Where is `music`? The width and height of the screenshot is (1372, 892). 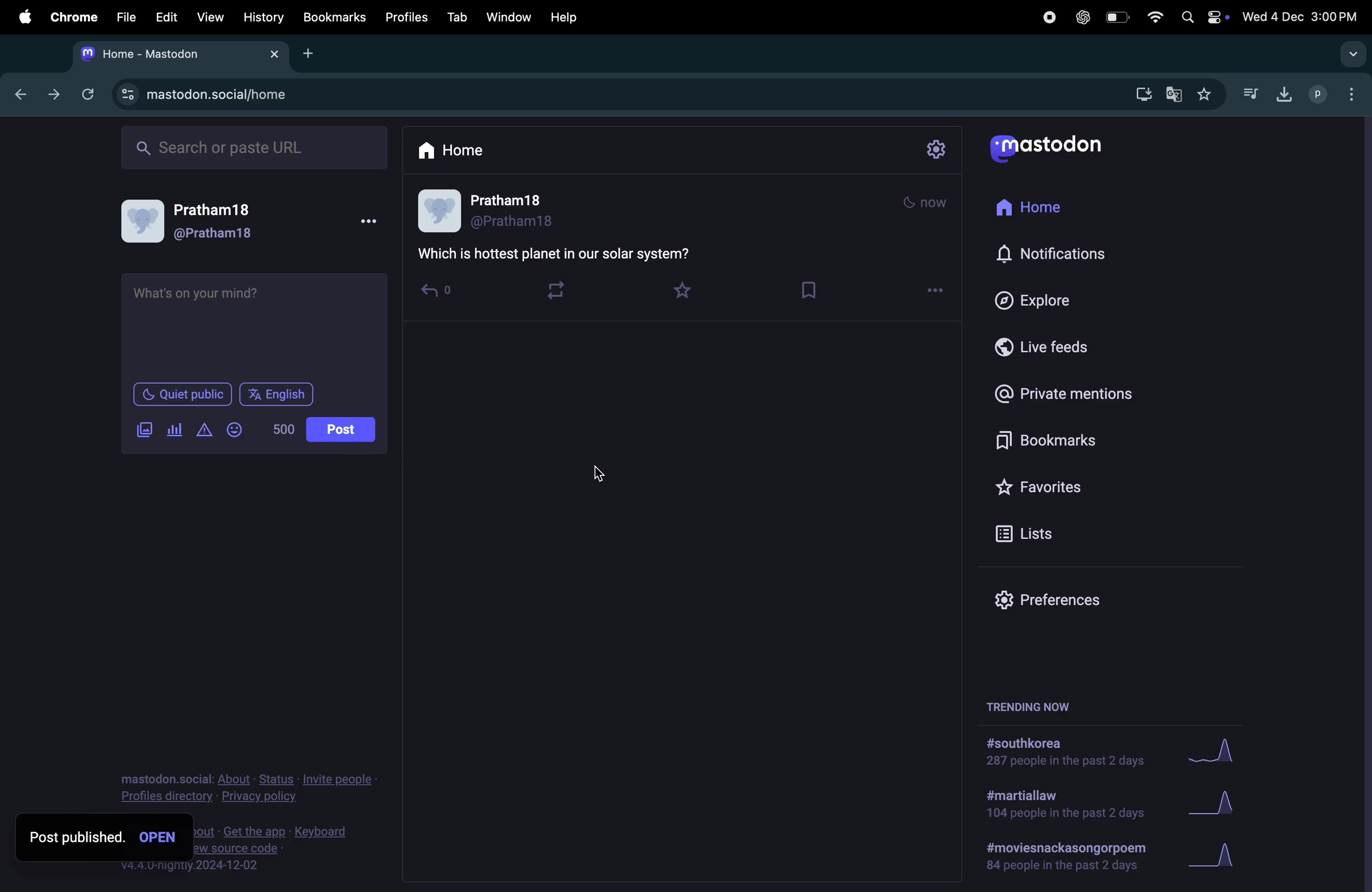
music is located at coordinates (1249, 90).